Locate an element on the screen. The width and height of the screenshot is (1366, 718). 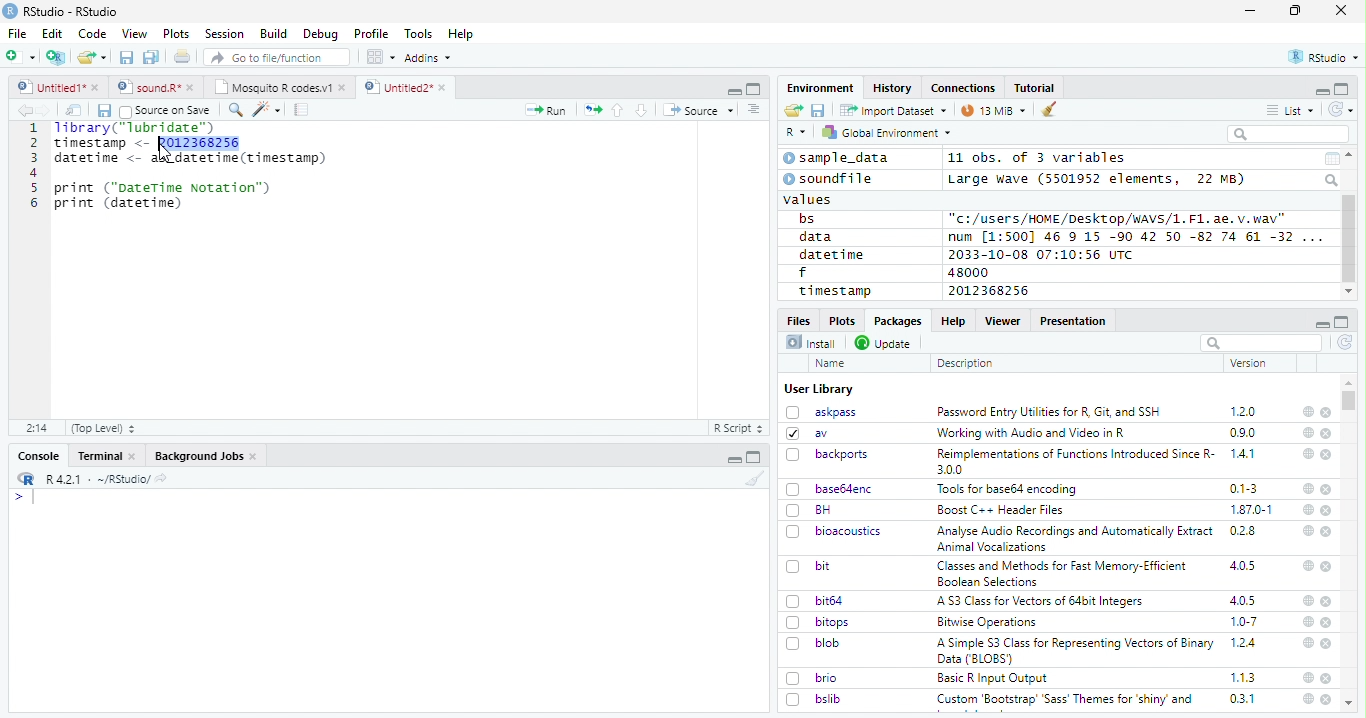
full screen is located at coordinates (1342, 89).